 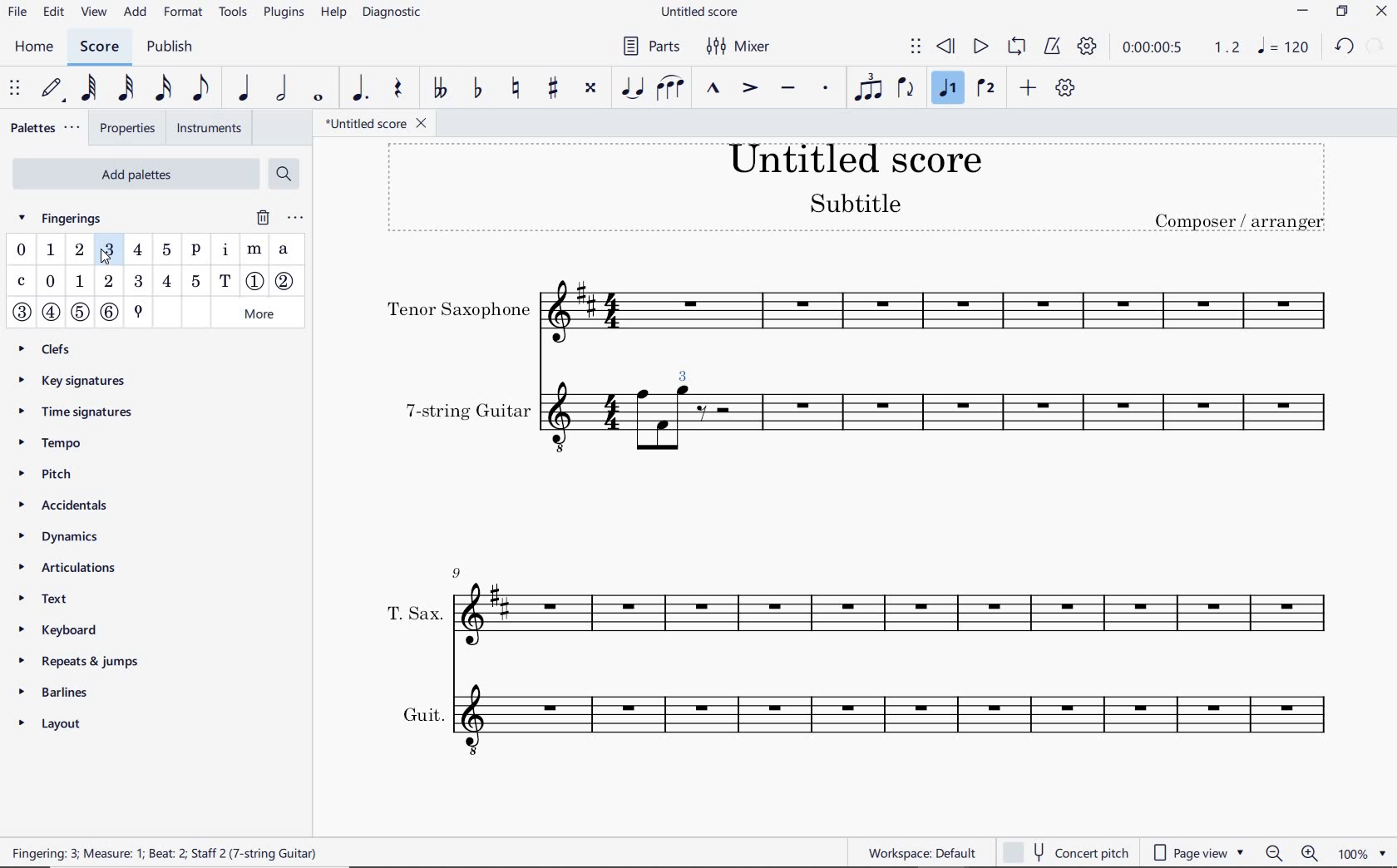 What do you see at coordinates (67, 317) in the screenshot?
I see `string numbers` at bounding box center [67, 317].